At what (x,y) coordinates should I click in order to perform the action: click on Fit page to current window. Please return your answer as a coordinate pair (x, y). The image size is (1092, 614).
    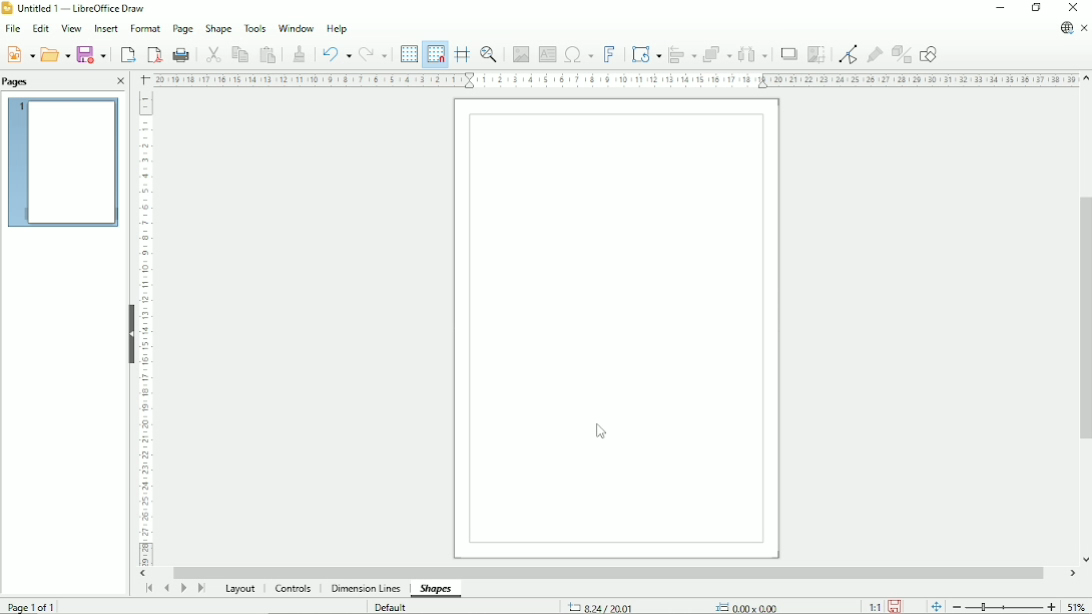
    Looking at the image, I should click on (936, 606).